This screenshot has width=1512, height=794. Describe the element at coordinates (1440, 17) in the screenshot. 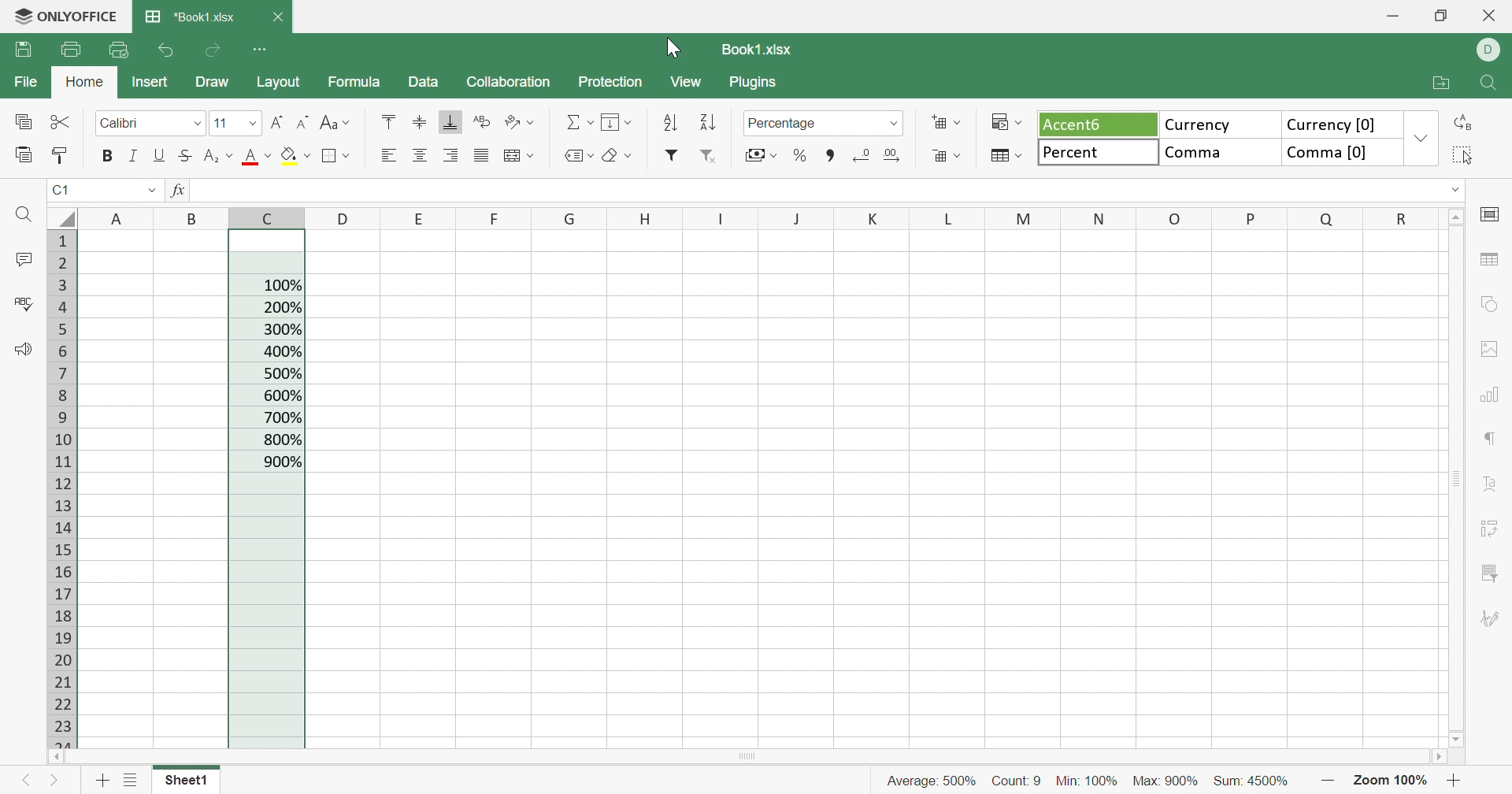

I see `Restore Down` at that location.